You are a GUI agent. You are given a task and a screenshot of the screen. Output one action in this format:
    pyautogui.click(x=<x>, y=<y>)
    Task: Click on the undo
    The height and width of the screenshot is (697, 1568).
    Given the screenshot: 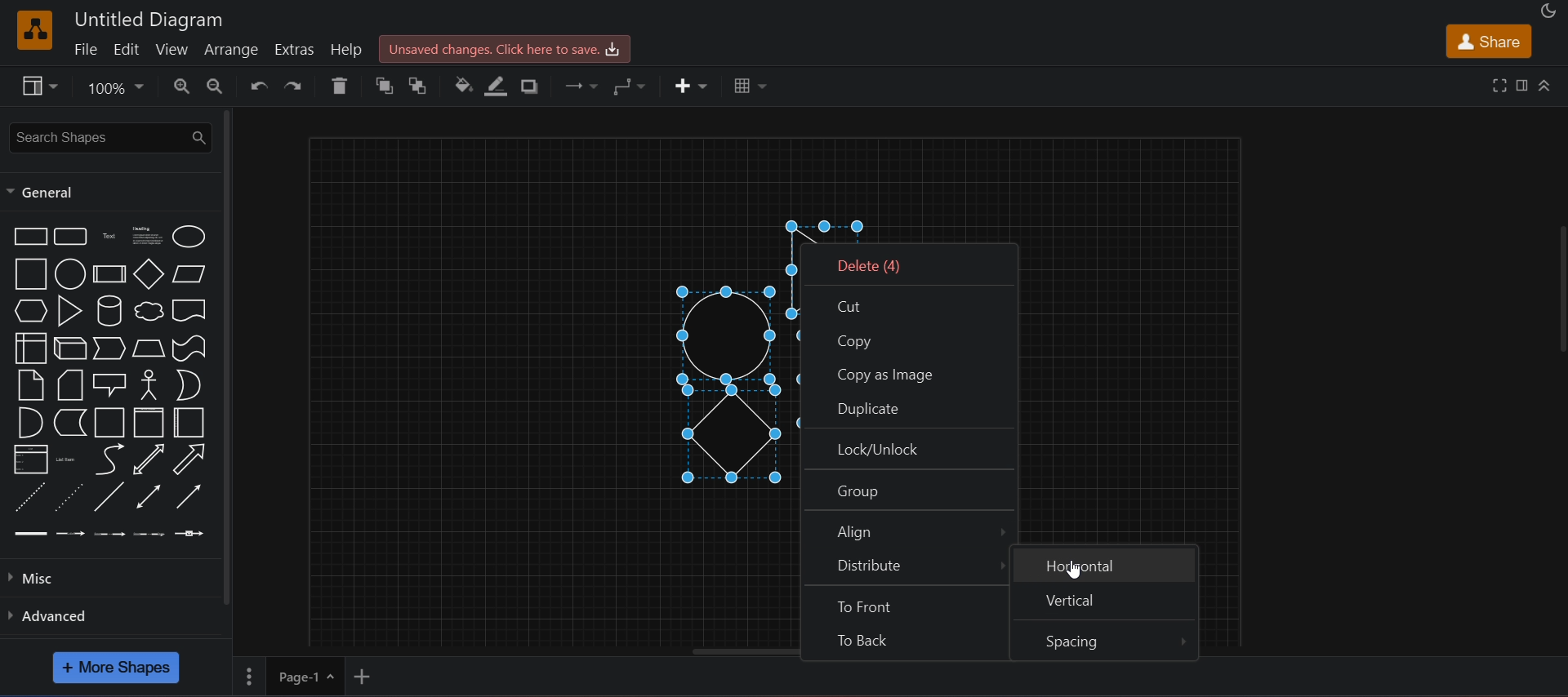 What is the action you would take?
    pyautogui.click(x=260, y=87)
    